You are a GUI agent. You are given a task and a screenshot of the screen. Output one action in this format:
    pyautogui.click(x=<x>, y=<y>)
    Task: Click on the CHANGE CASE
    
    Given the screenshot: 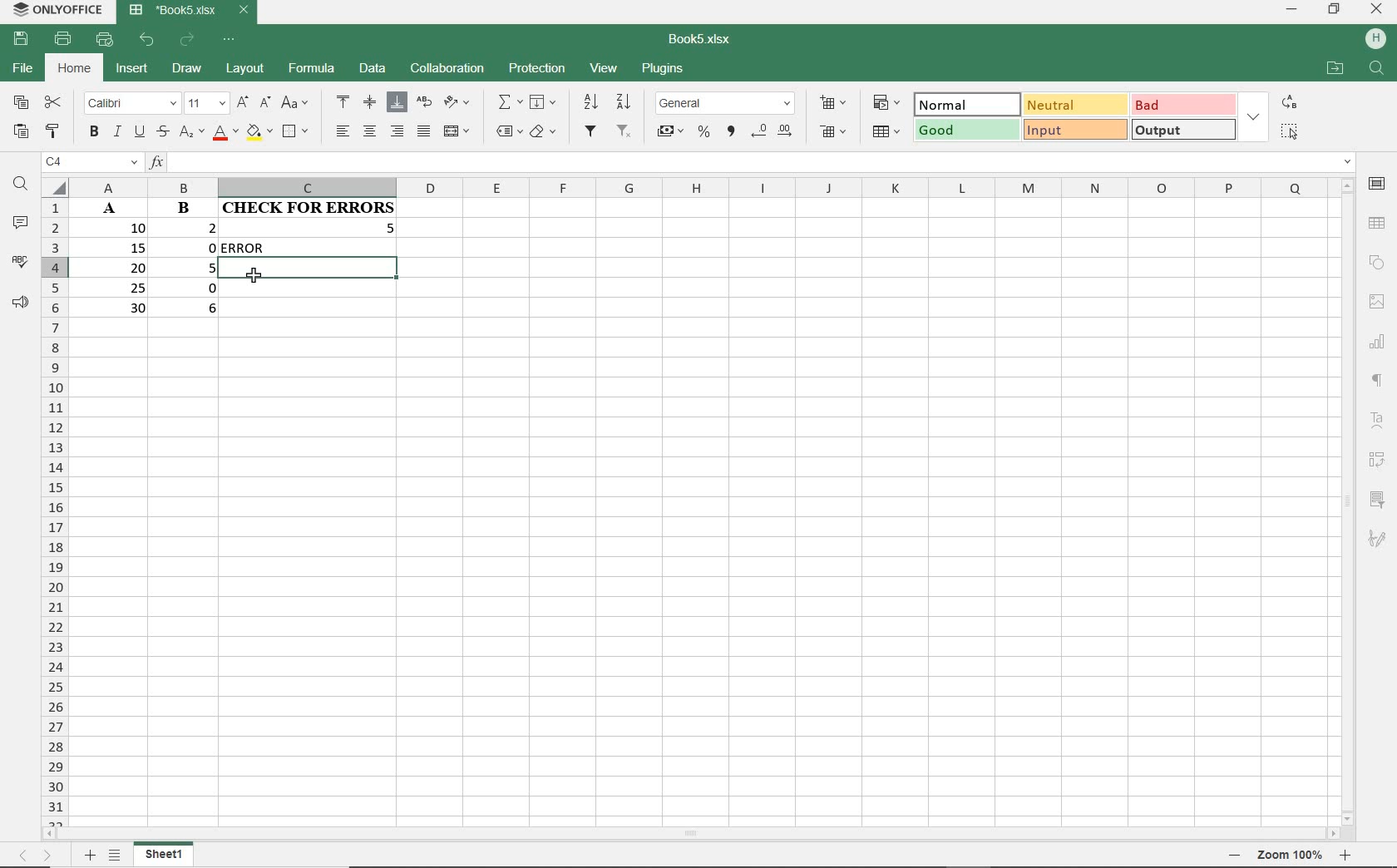 What is the action you would take?
    pyautogui.click(x=296, y=103)
    